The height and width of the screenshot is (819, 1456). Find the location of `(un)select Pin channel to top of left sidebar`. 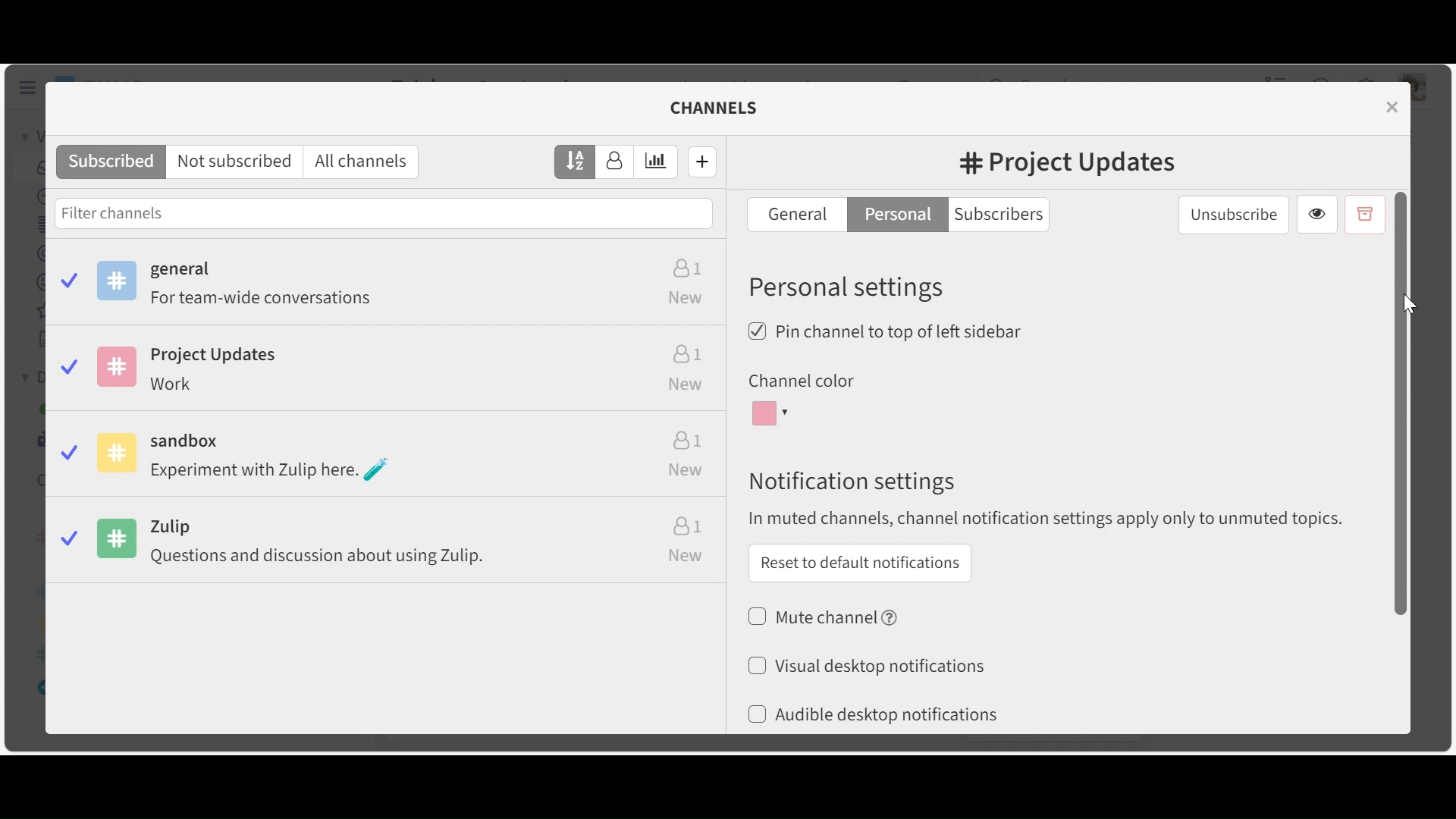

(un)select Pin channel to top of left sidebar is located at coordinates (886, 331).